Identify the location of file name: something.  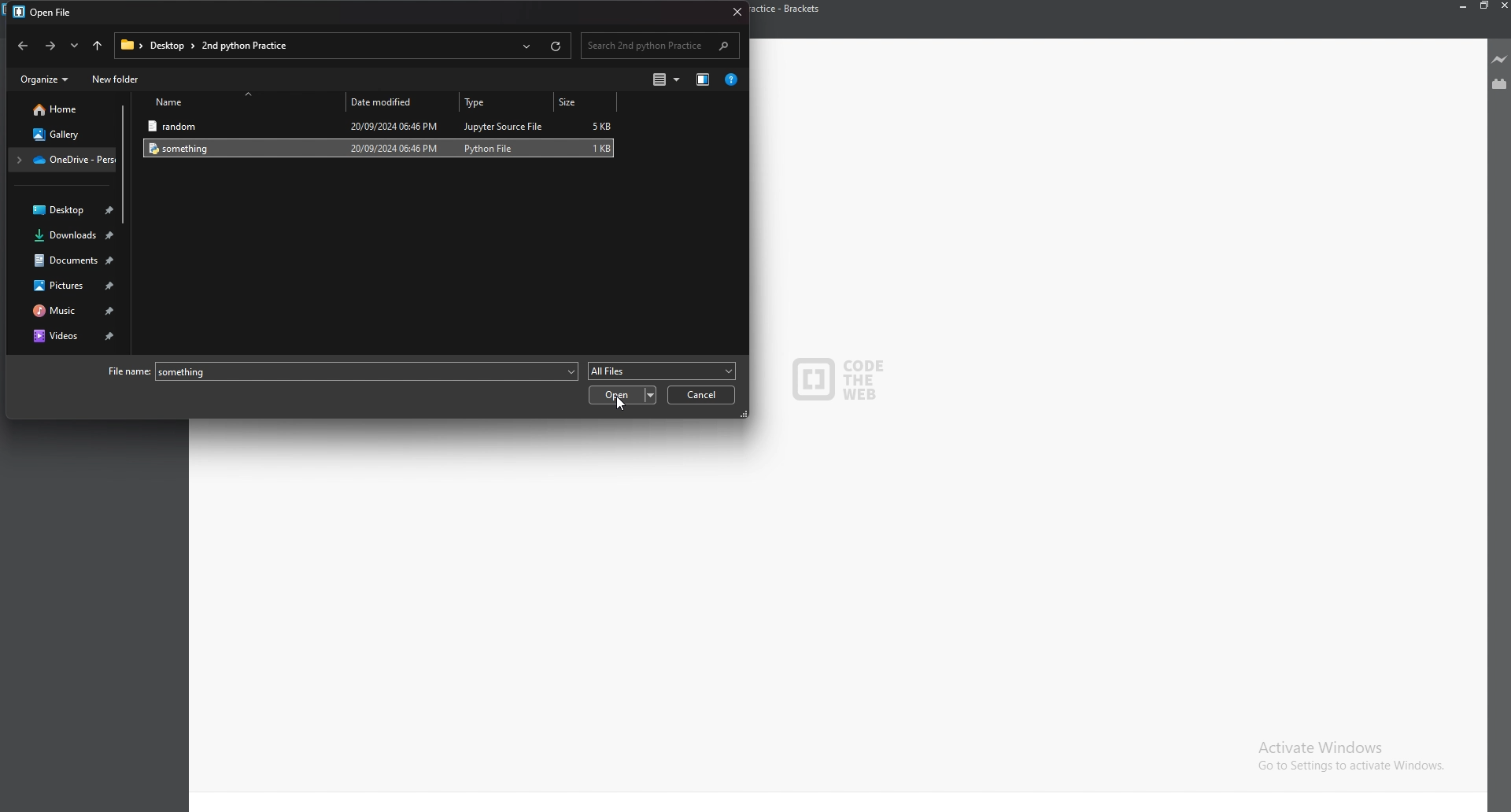
(342, 371).